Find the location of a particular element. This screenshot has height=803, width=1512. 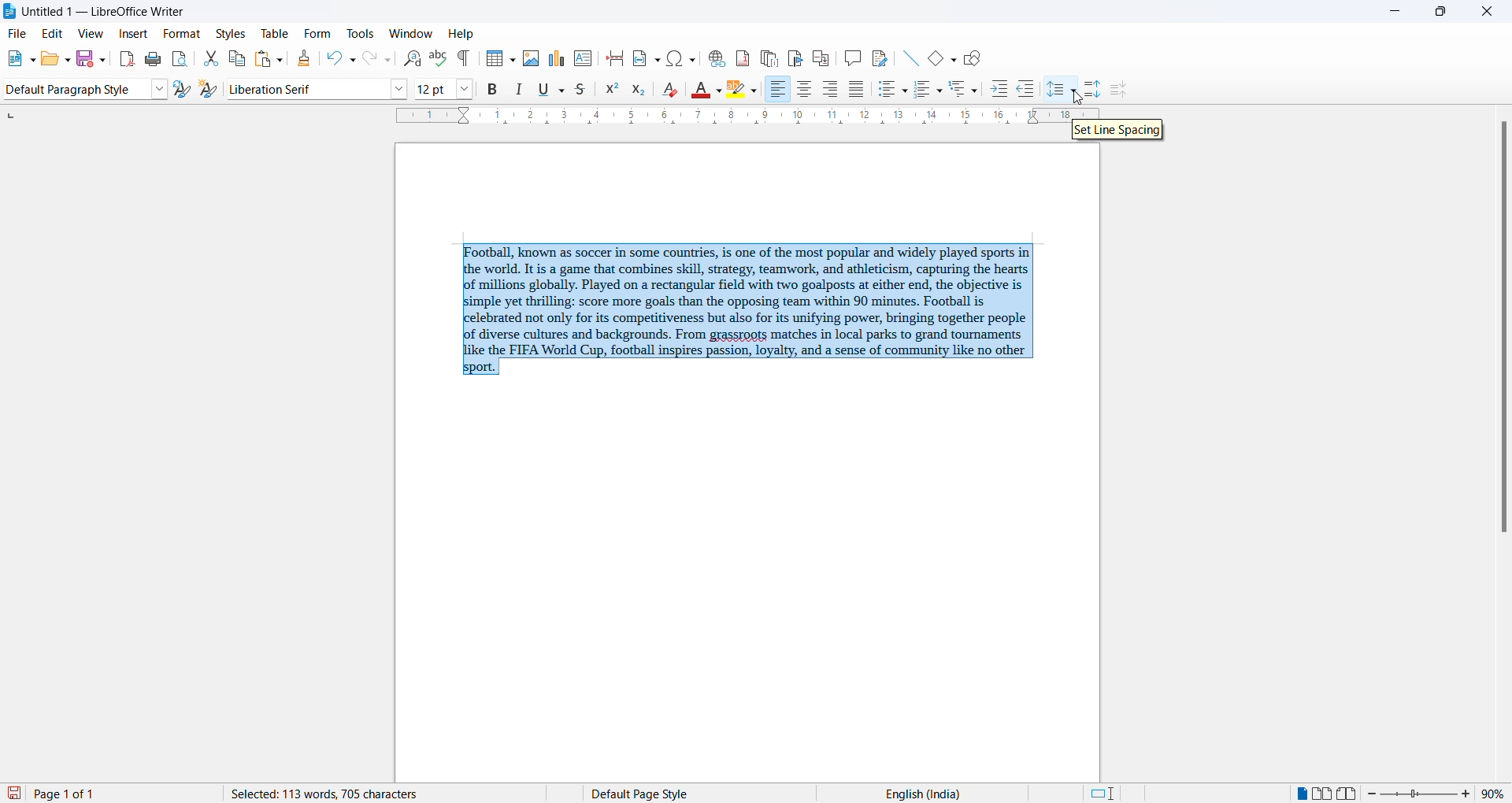

underline options is located at coordinates (561, 90).